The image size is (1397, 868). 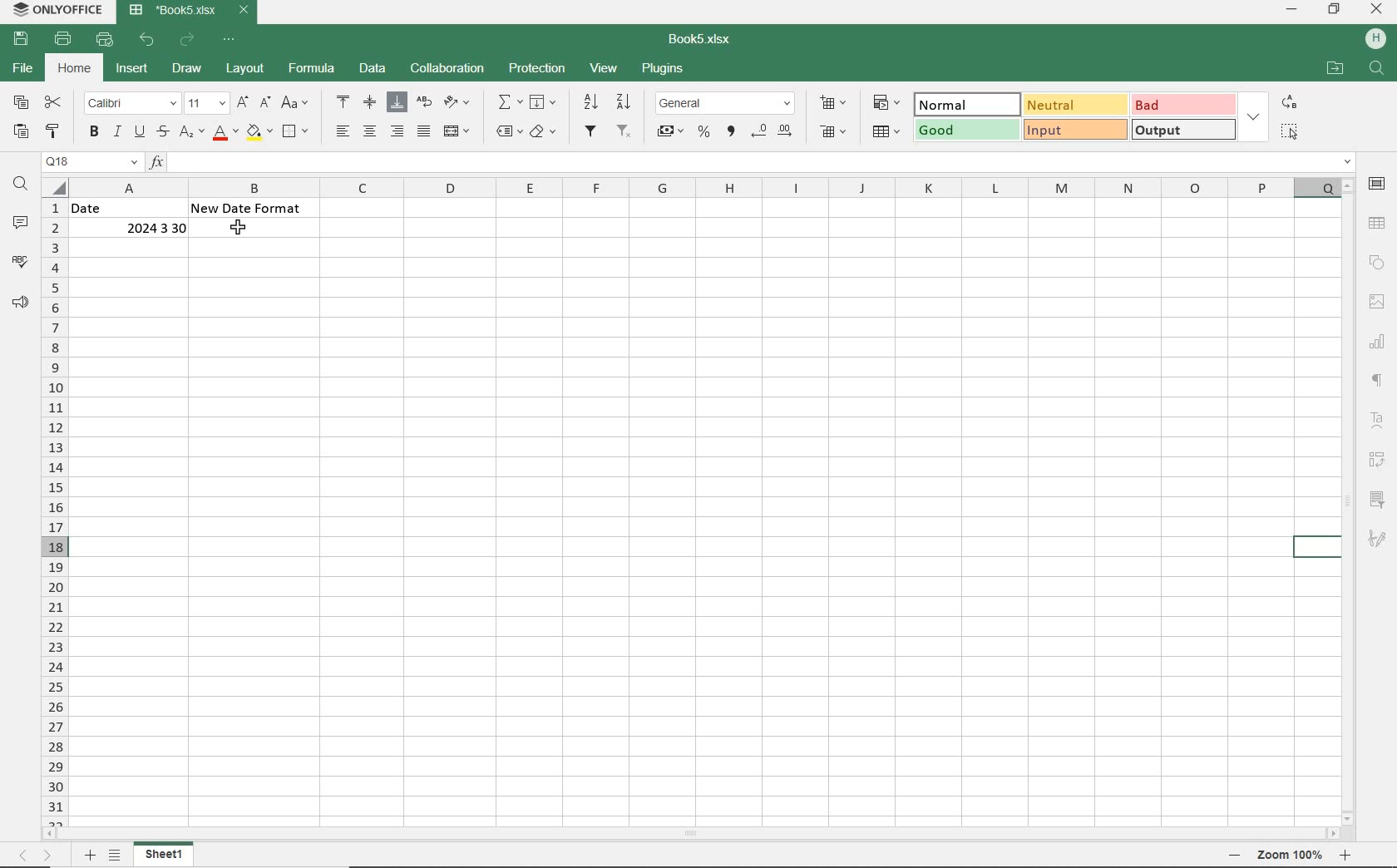 What do you see at coordinates (55, 131) in the screenshot?
I see `COPY STYLE` at bounding box center [55, 131].